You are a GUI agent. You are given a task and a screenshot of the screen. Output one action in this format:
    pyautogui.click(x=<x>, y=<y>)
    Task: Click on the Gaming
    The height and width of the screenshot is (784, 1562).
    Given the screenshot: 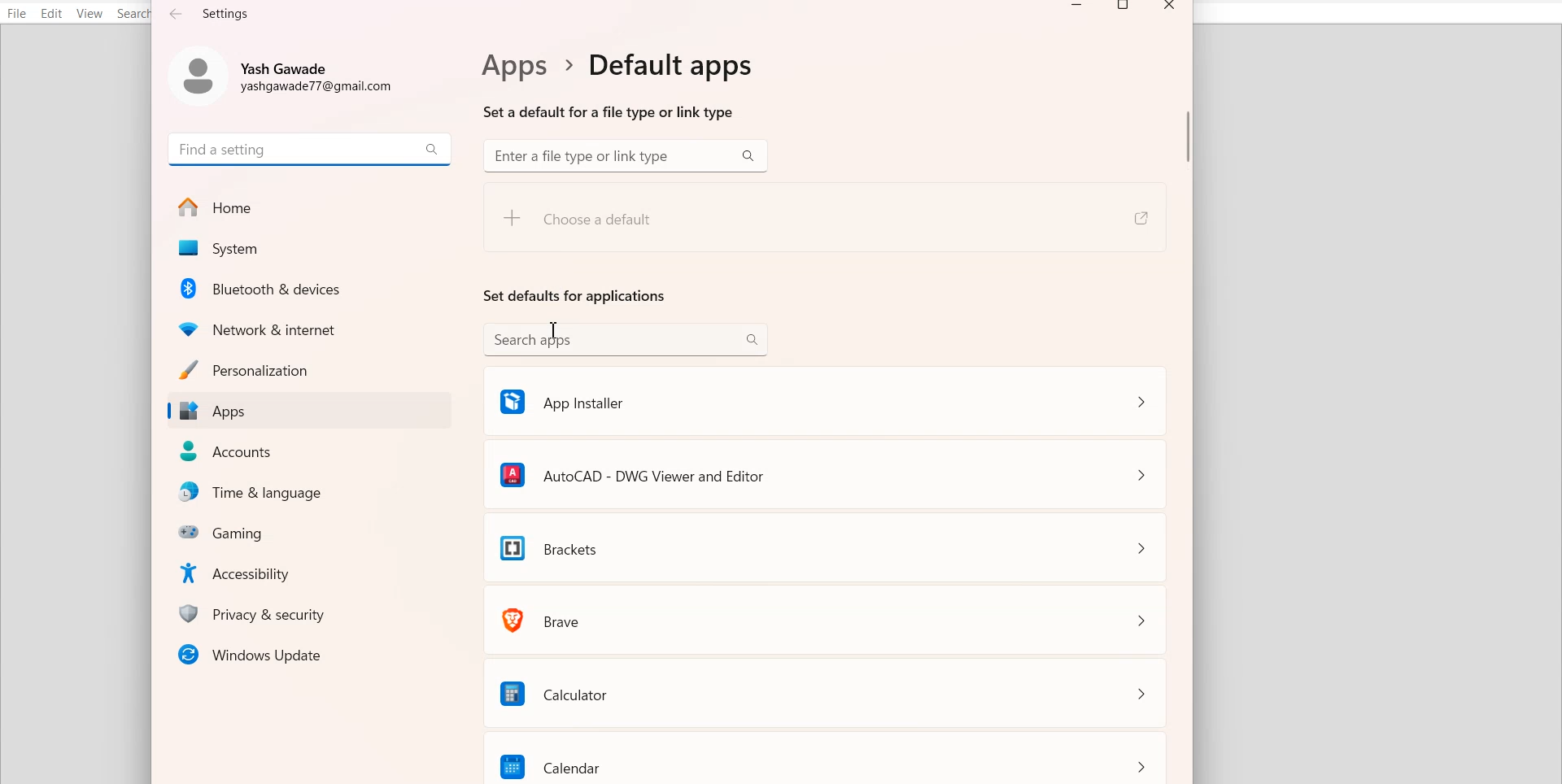 What is the action you would take?
    pyautogui.click(x=314, y=531)
    